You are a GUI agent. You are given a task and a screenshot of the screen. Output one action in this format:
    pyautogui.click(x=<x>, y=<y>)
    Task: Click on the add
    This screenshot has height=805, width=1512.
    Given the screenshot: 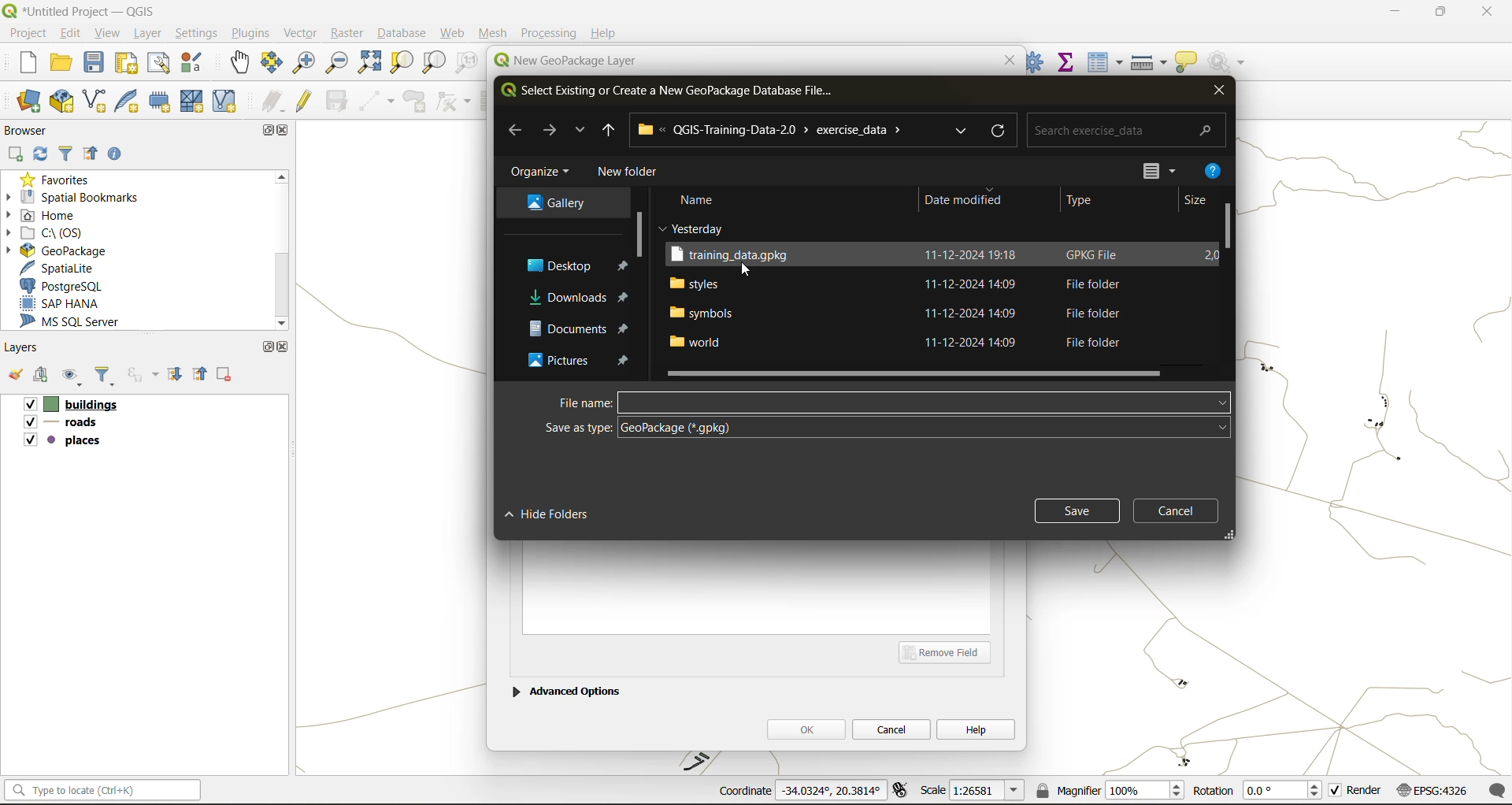 What is the action you would take?
    pyautogui.click(x=17, y=154)
    